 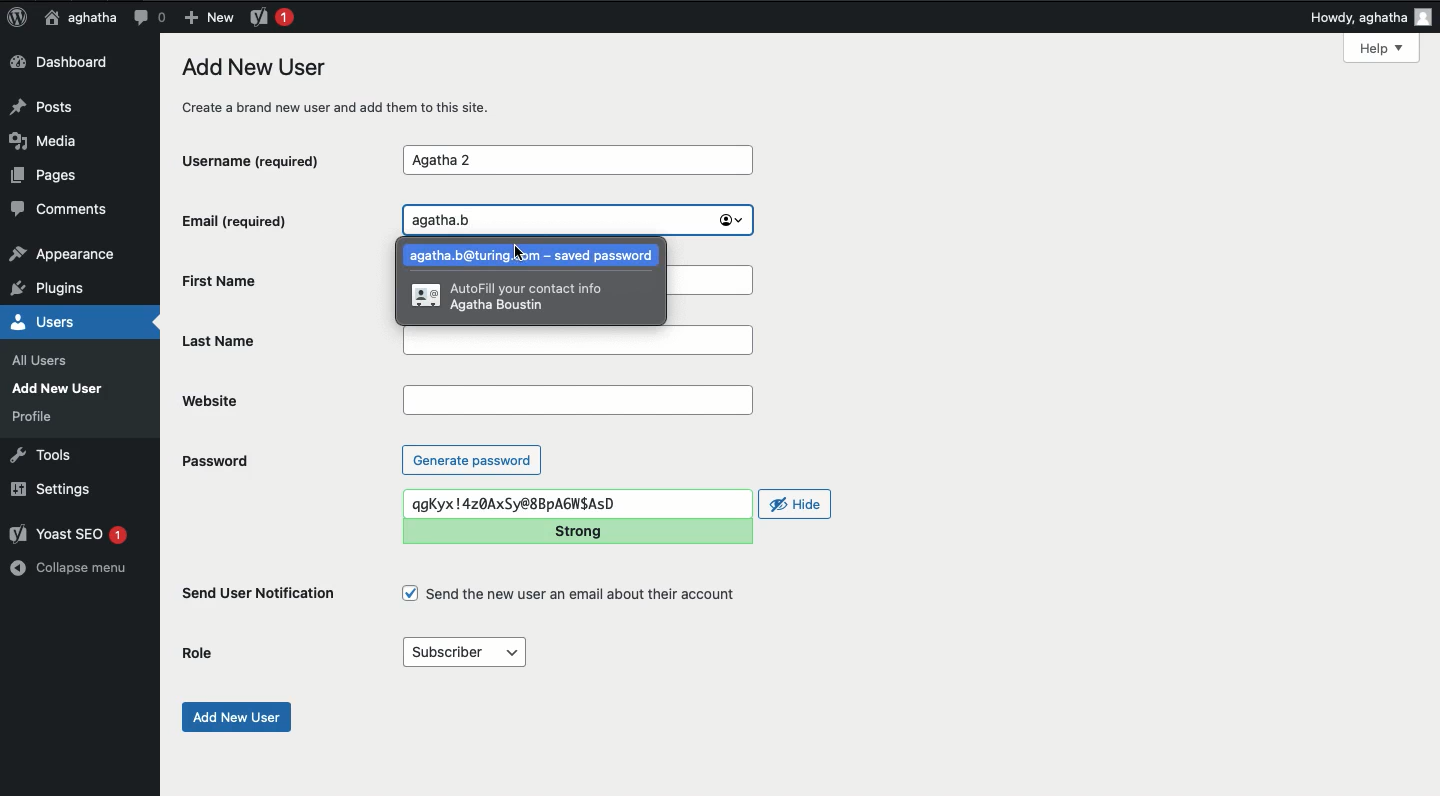 What do you see at coordinates (62, 388) in the screenshot?
I see `Add New User` at bounding box center [62, 388].